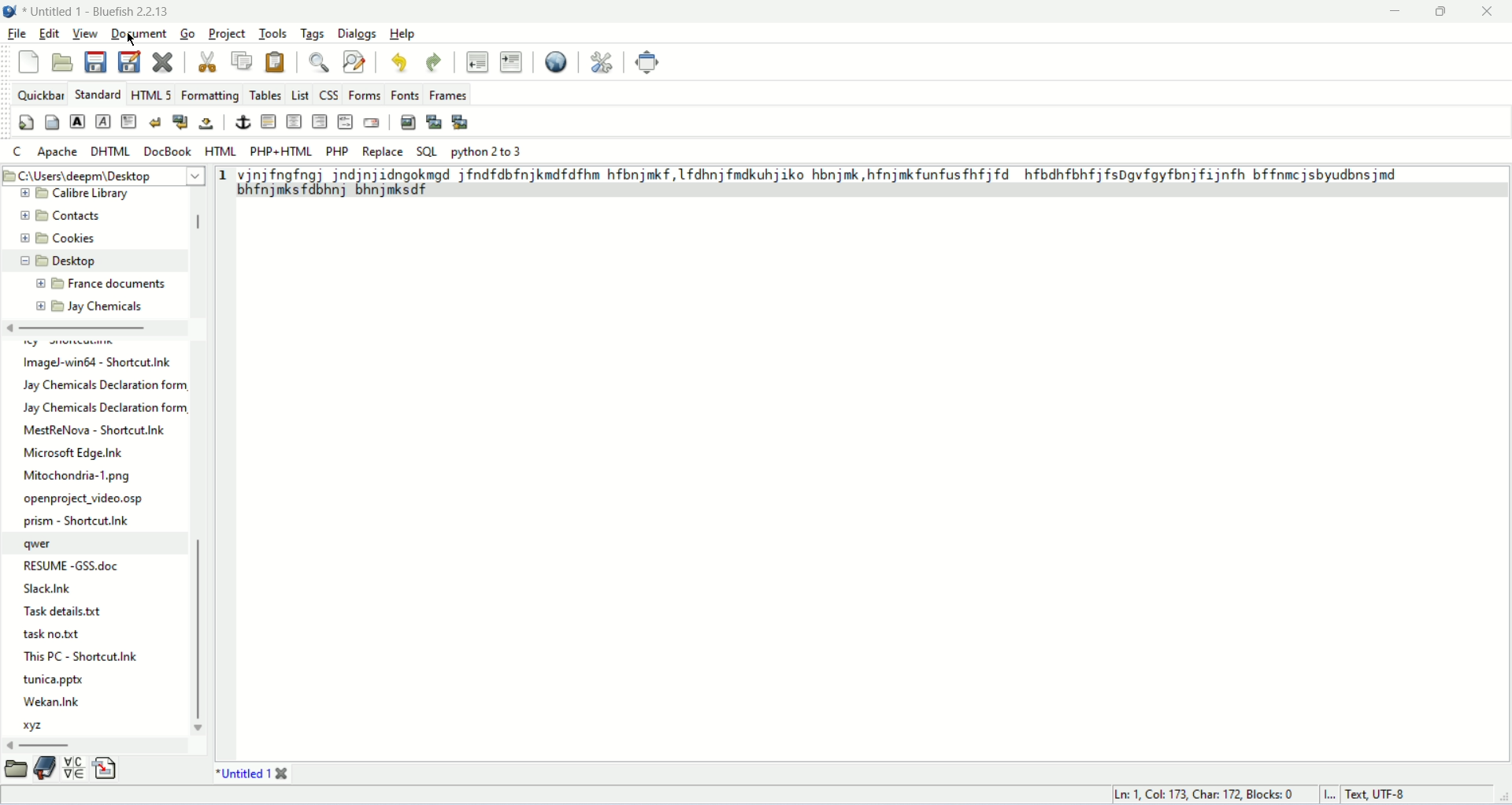  What do you see at coordinates (105, 766) in the screenshot?
I see `snippet` at bounding box center [105, 766].